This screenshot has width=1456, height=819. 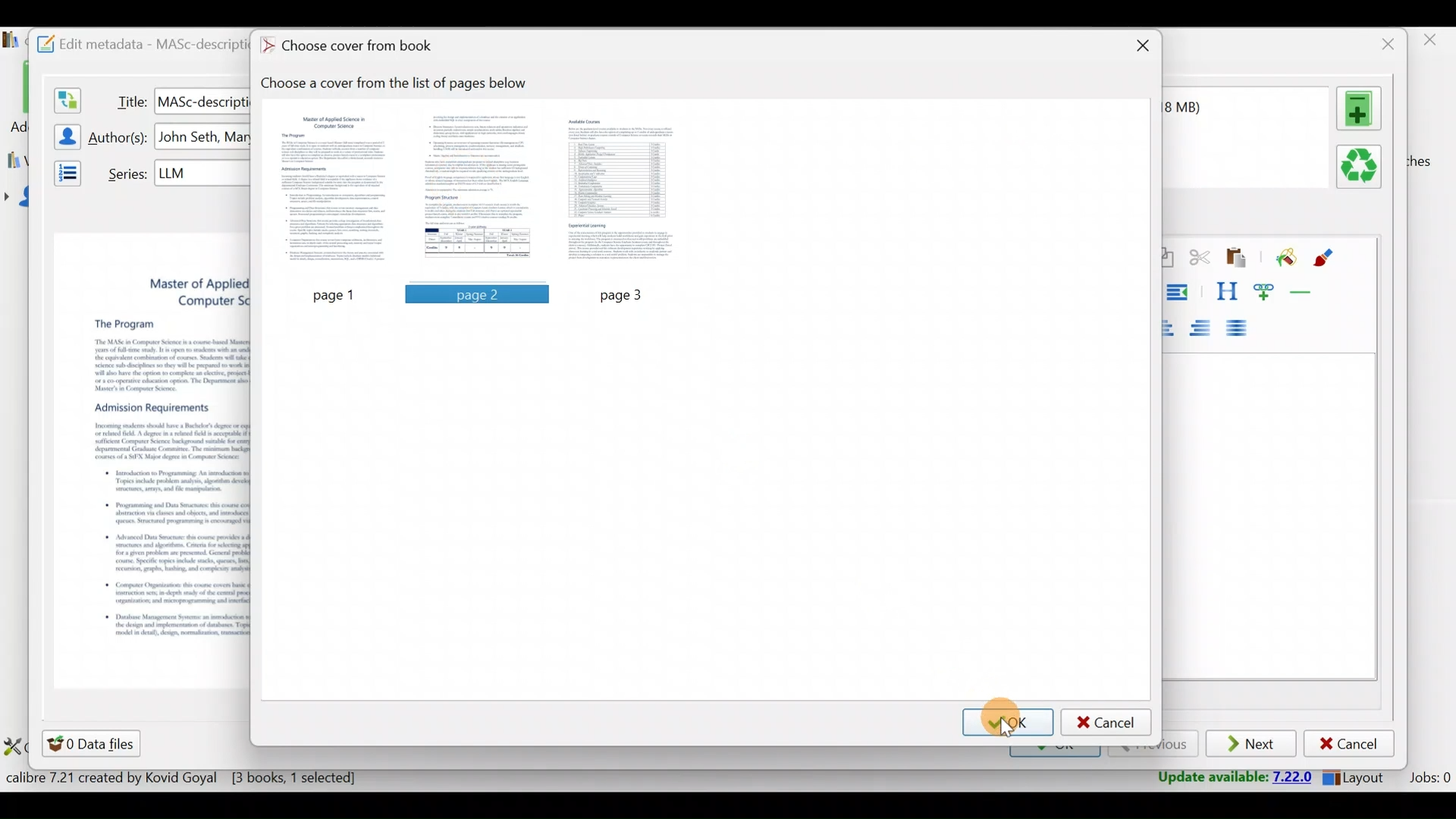 I want to click on Insert separator, so click(x=1306, y=292).